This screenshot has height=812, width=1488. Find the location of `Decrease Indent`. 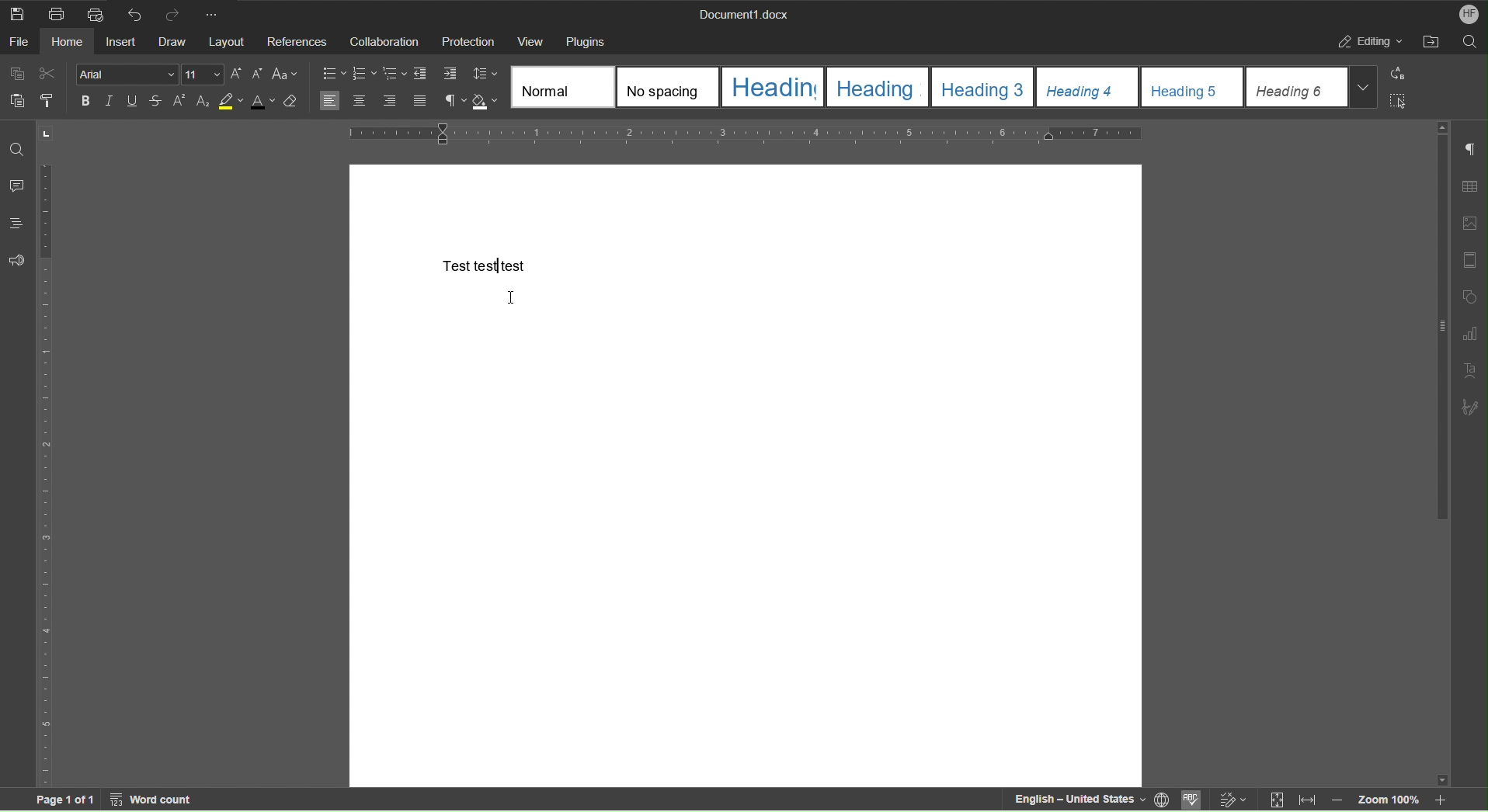

Decrease Indent is located at coordinates (422, 75).